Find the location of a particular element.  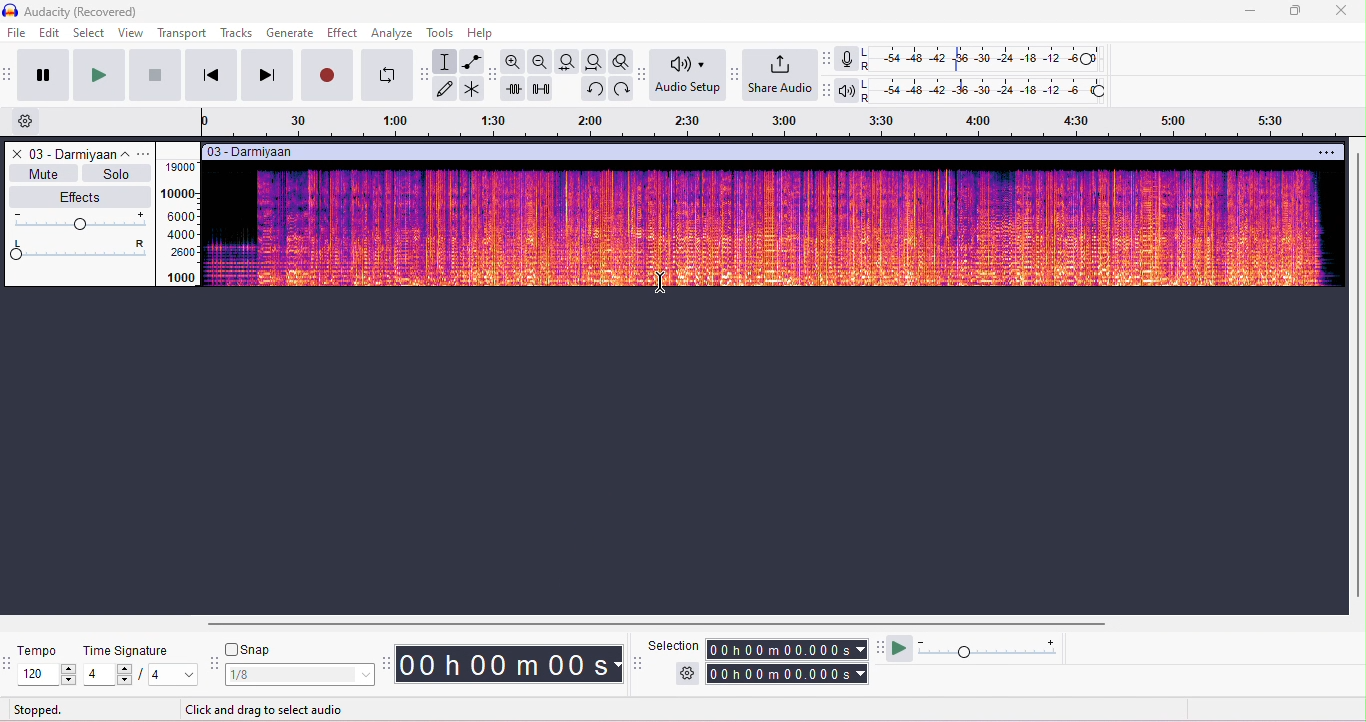

file is located at coordinates (18, 34).